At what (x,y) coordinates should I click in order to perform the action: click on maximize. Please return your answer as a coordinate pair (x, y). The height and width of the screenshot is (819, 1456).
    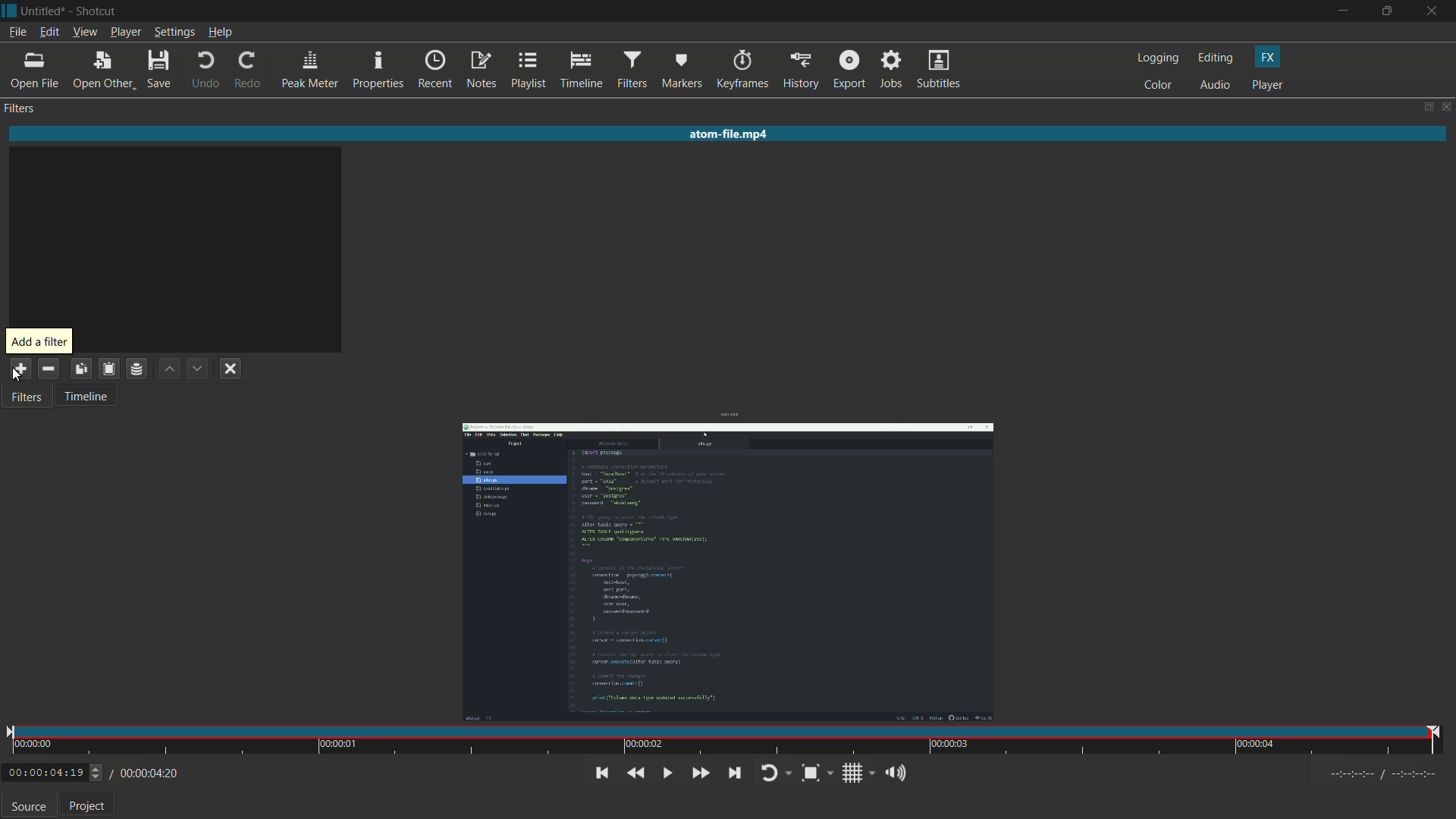
    Looking at the image, I should click on (1390, 11).